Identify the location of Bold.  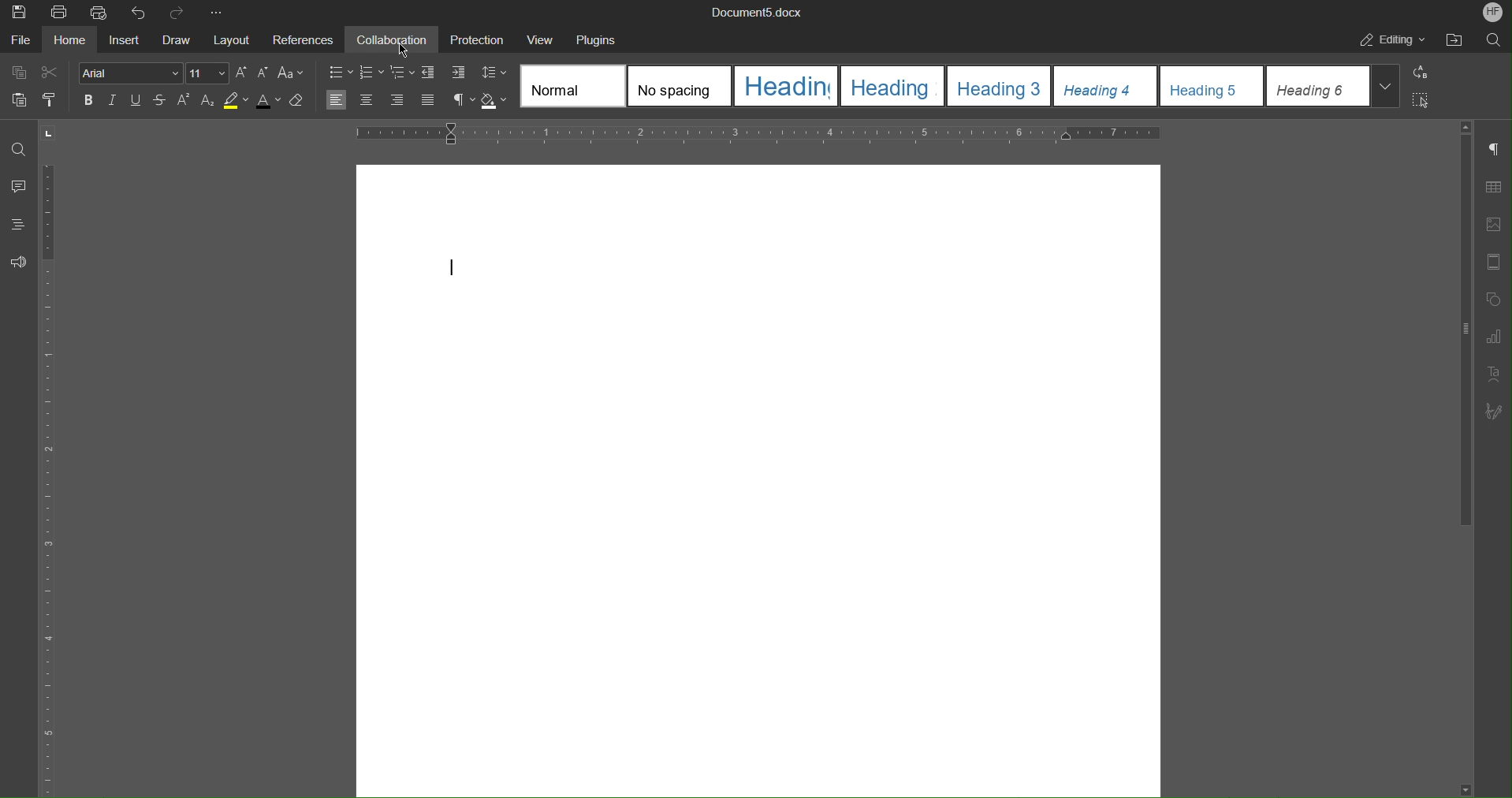
(88, 102).